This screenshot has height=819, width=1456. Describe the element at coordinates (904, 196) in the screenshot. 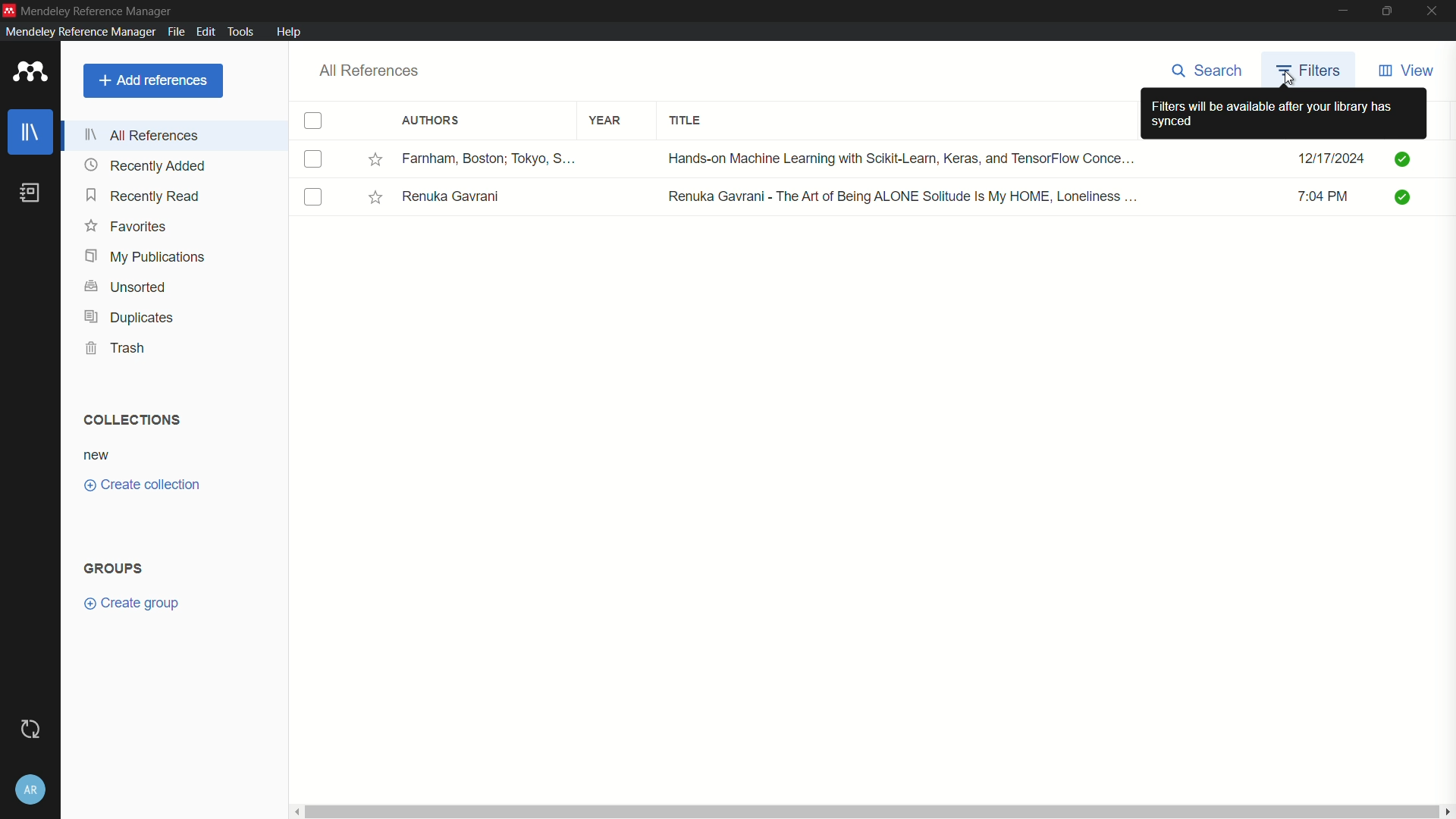

I see `Renuka Gavrani - The Art of Being ALONE Solitude Is My HOME, Loneliness .` at that location.